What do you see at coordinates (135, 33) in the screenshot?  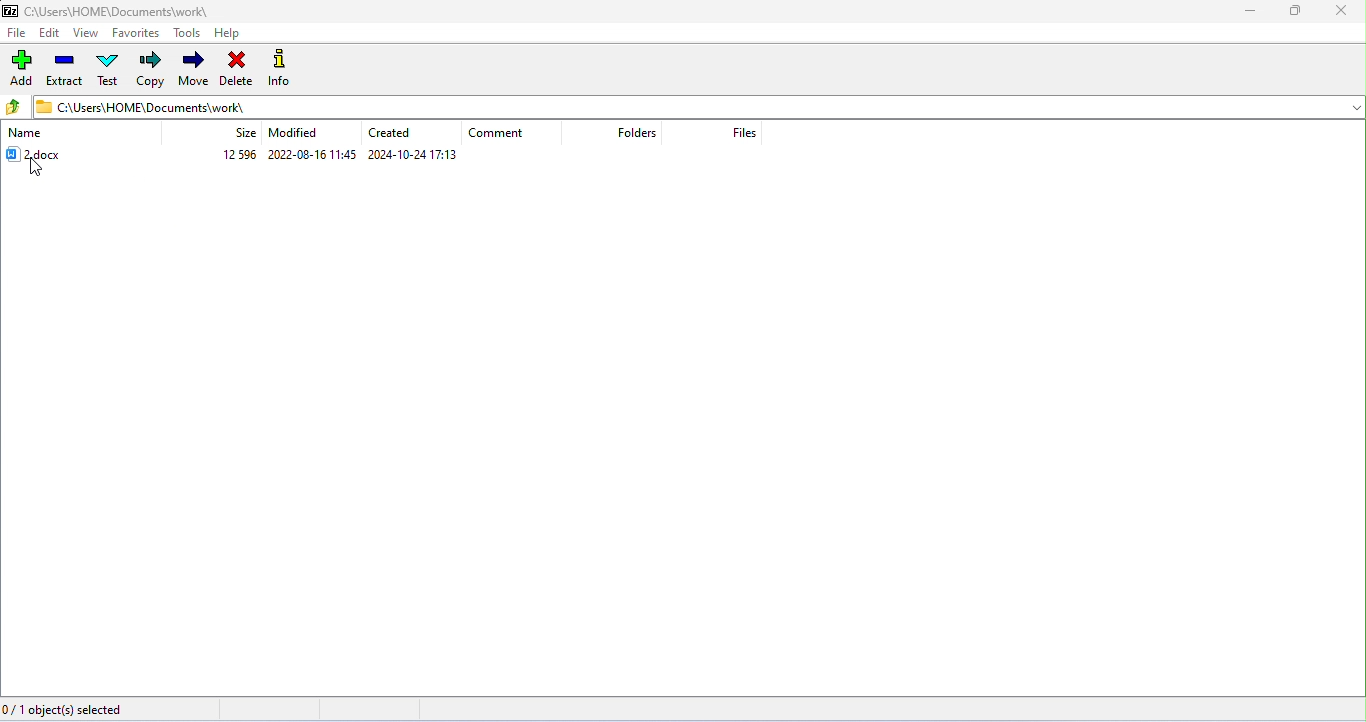 I see `favorite` at bounding box center [135, 33].